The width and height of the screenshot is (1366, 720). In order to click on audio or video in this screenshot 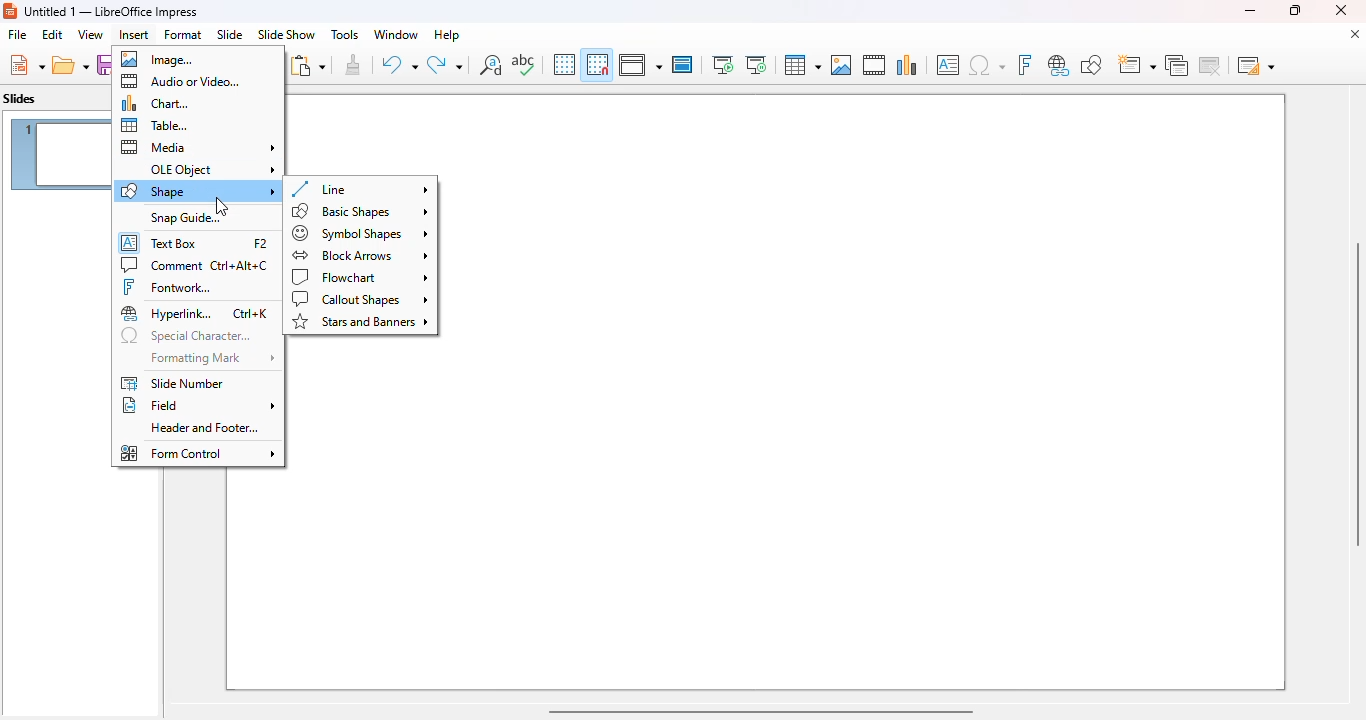, I will do `click(181, 81)`.